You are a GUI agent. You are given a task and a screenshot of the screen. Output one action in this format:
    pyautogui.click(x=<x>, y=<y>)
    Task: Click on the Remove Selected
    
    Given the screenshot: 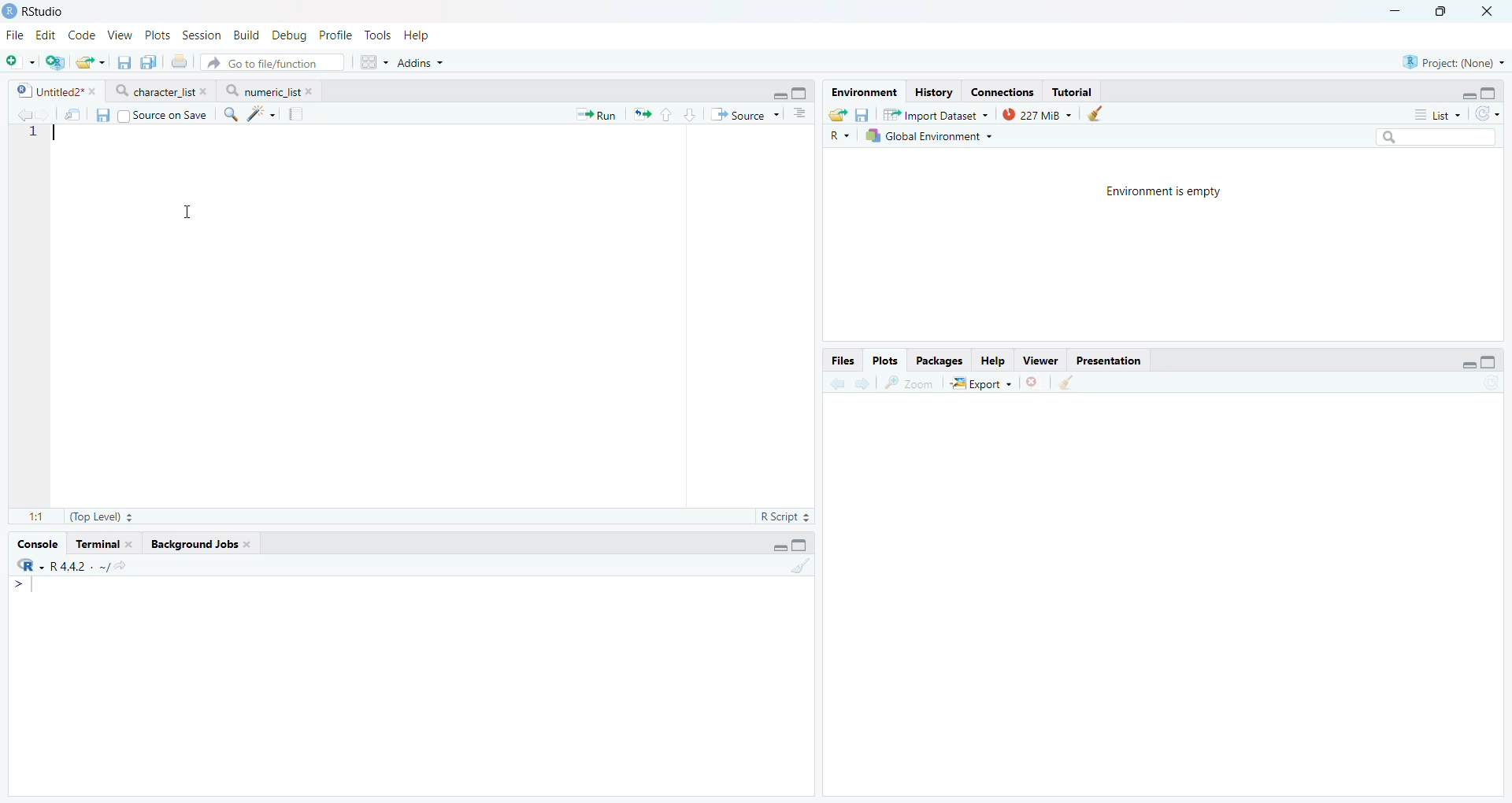 What is the action you would take?
    pyautogui.click(x=1036, y=382)
    